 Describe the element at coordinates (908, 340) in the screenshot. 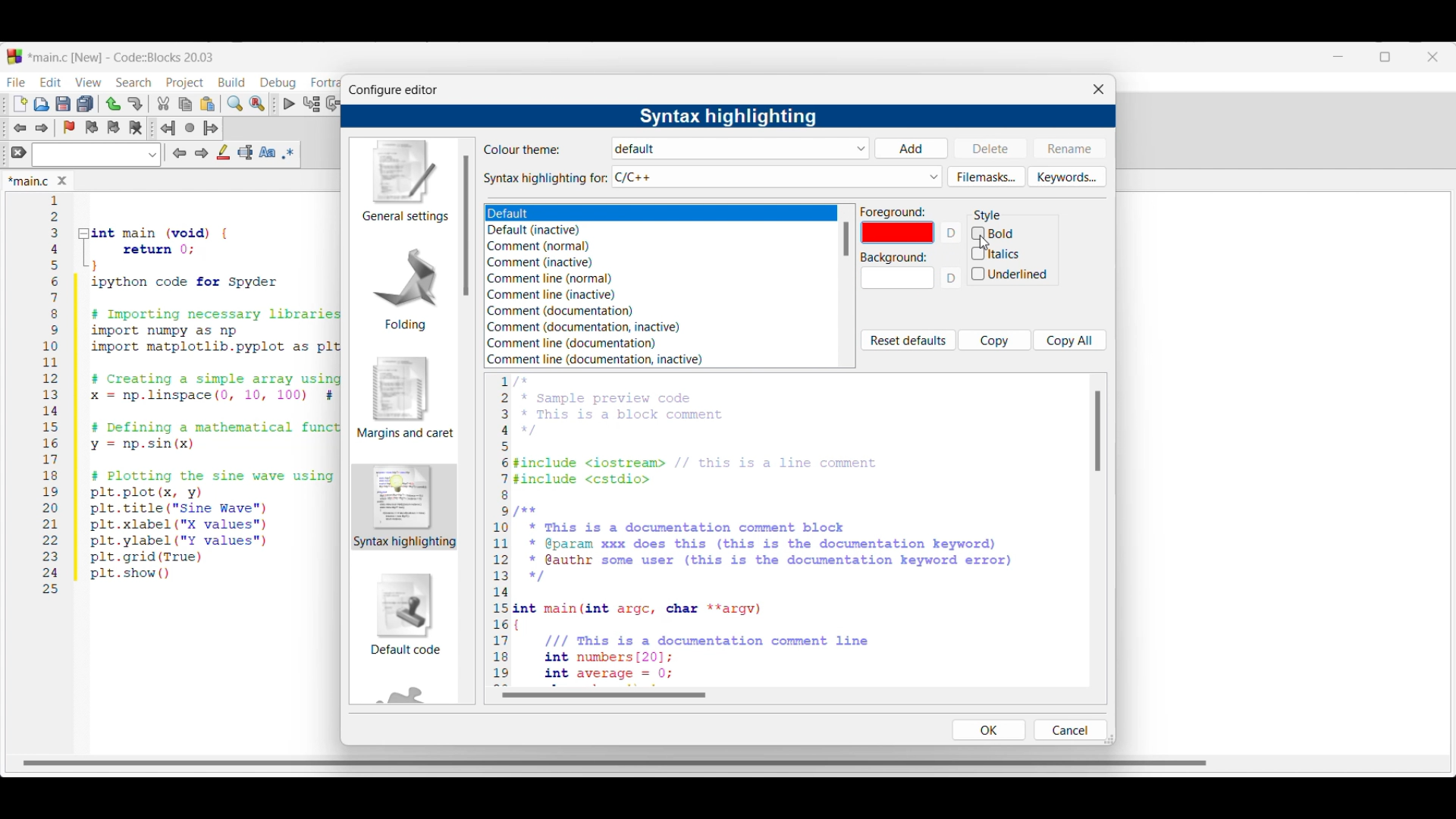

I see `Reset defaults` at that location.